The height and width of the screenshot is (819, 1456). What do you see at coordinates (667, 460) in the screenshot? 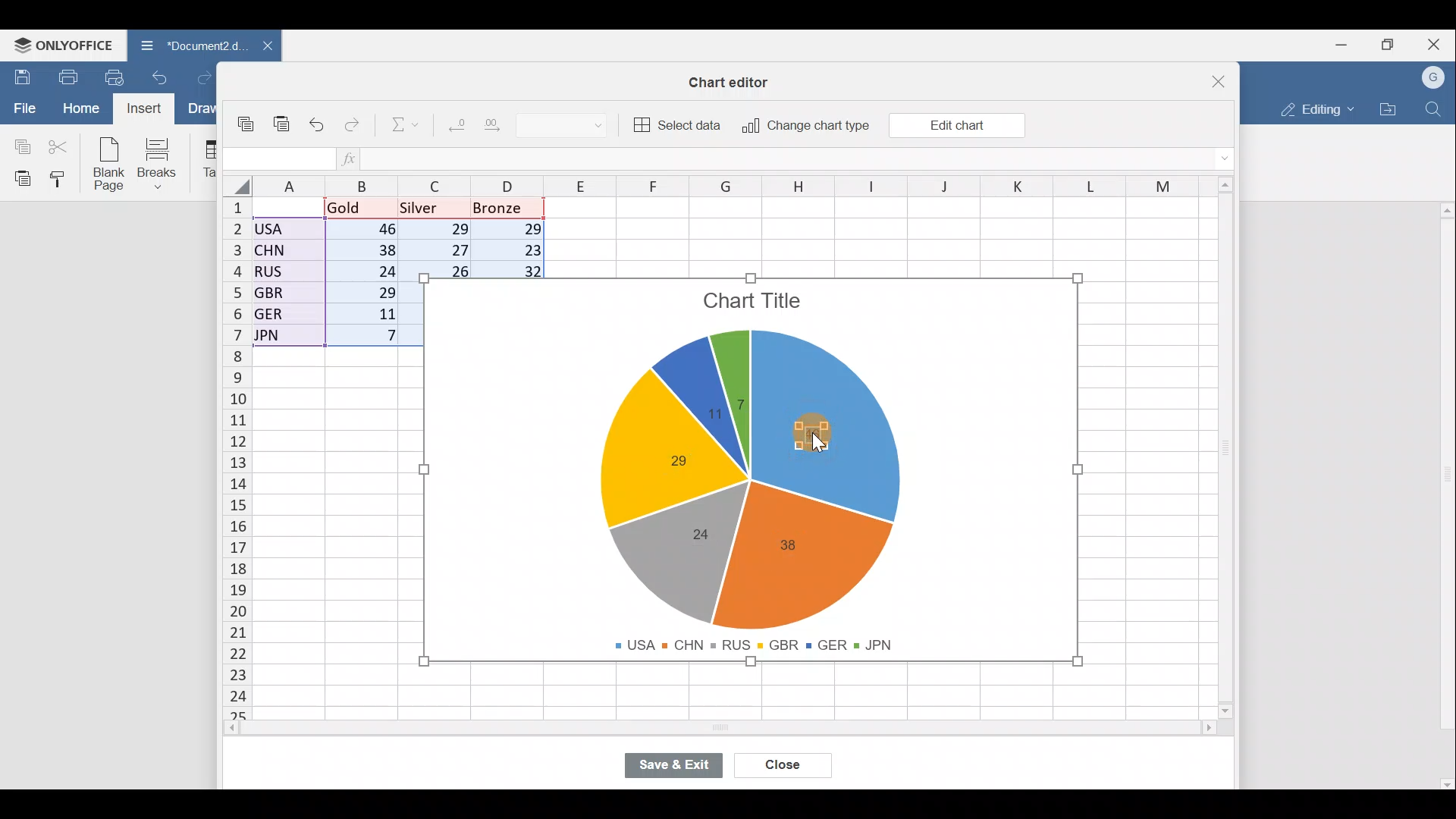
I see `Chart label` at bounding box center [667, 460].